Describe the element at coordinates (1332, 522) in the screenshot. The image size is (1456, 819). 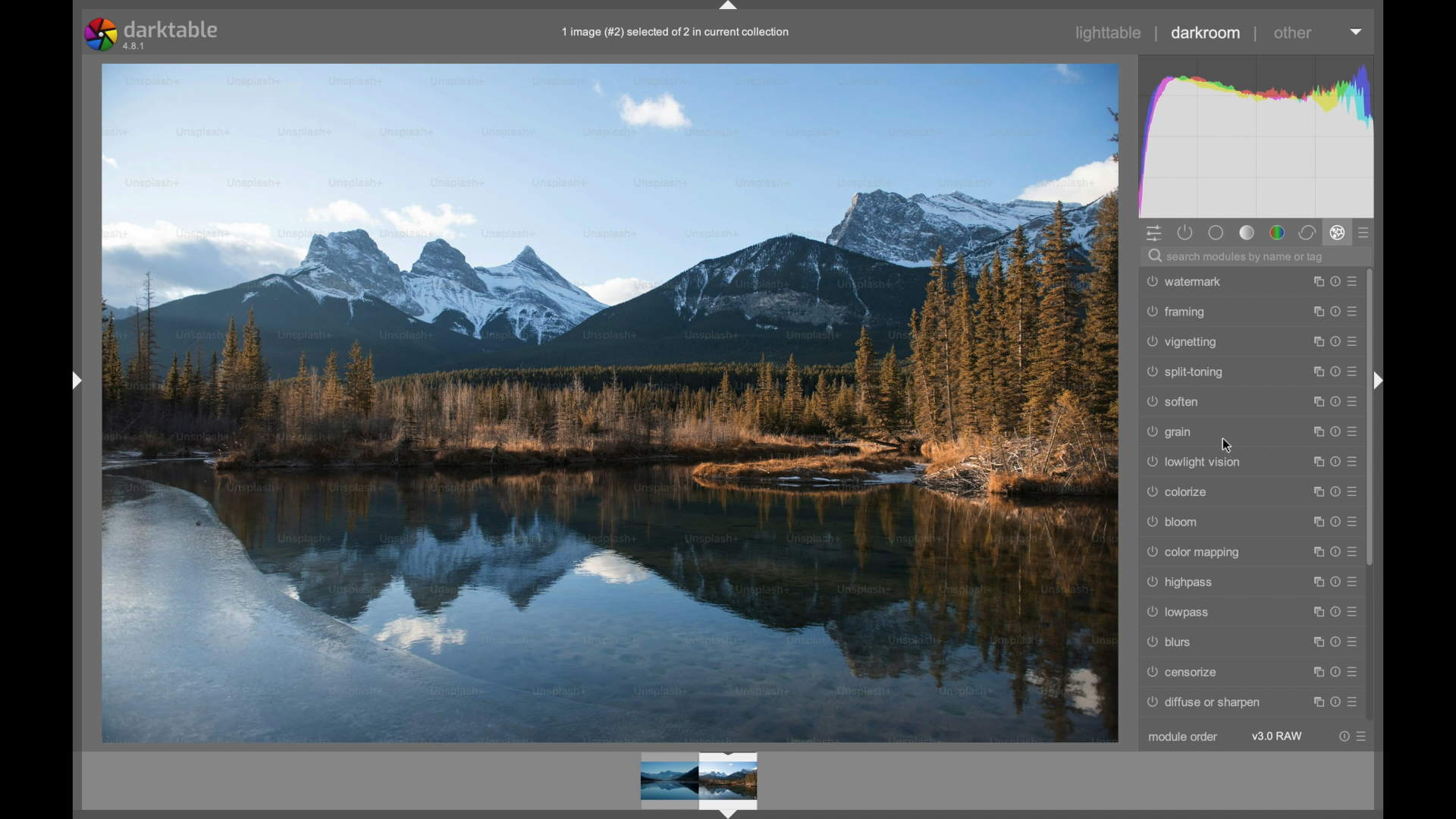
I see `reset parameters` at that location.